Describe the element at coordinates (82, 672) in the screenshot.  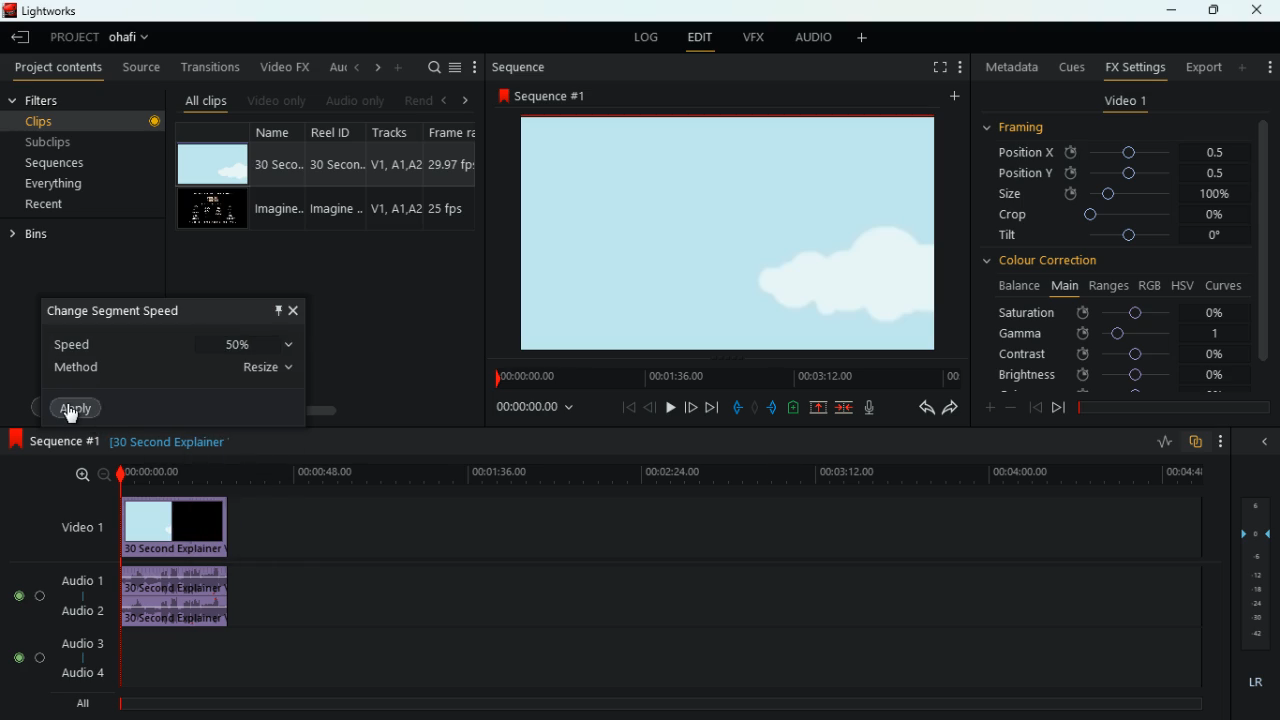
I see `audio 4` at that location.